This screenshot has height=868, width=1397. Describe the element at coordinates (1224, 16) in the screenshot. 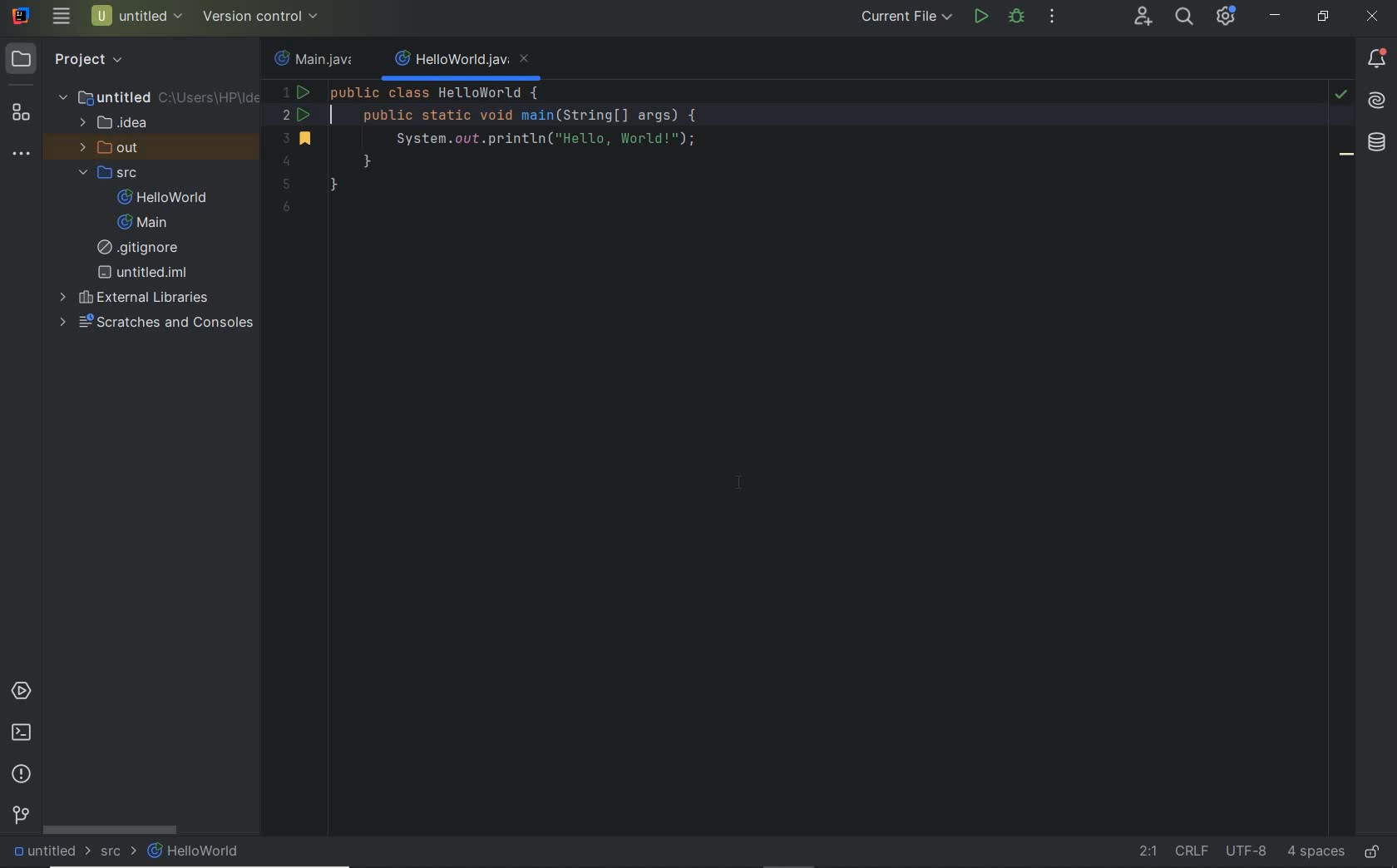

I see `IDE and Project Settings` at that location.